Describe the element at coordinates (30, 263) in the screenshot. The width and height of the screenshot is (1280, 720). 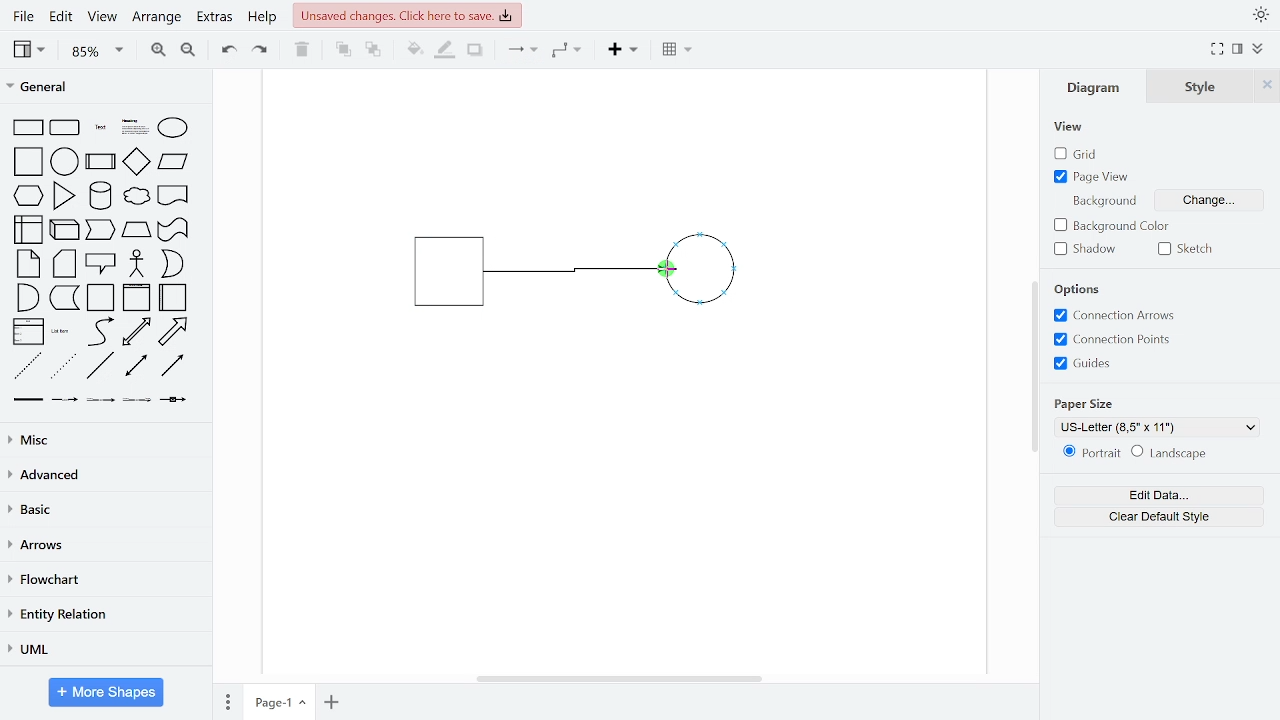
I see `note` at that location.